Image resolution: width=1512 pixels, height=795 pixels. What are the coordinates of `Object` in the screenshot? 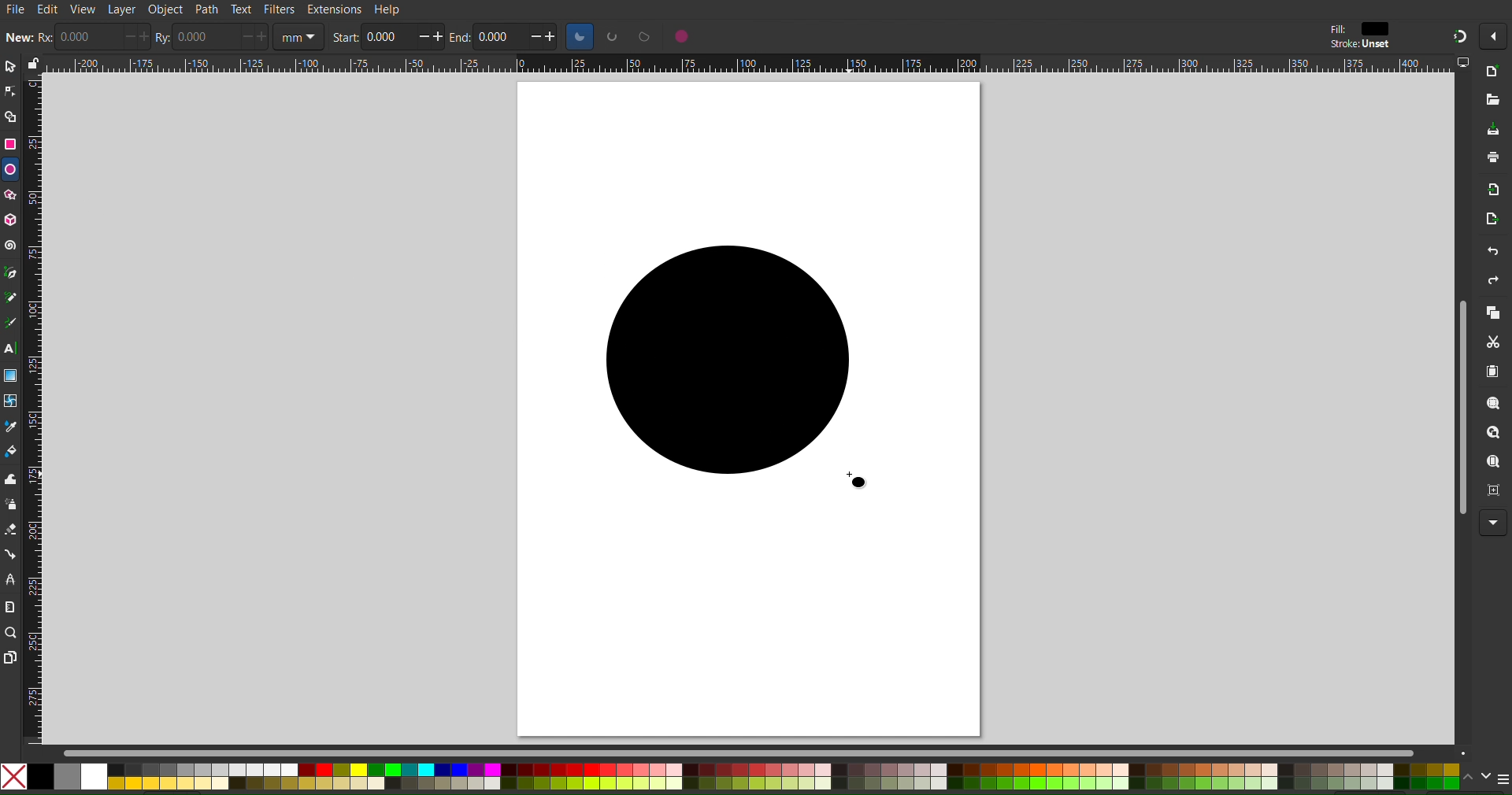 It's located at (165, 10).